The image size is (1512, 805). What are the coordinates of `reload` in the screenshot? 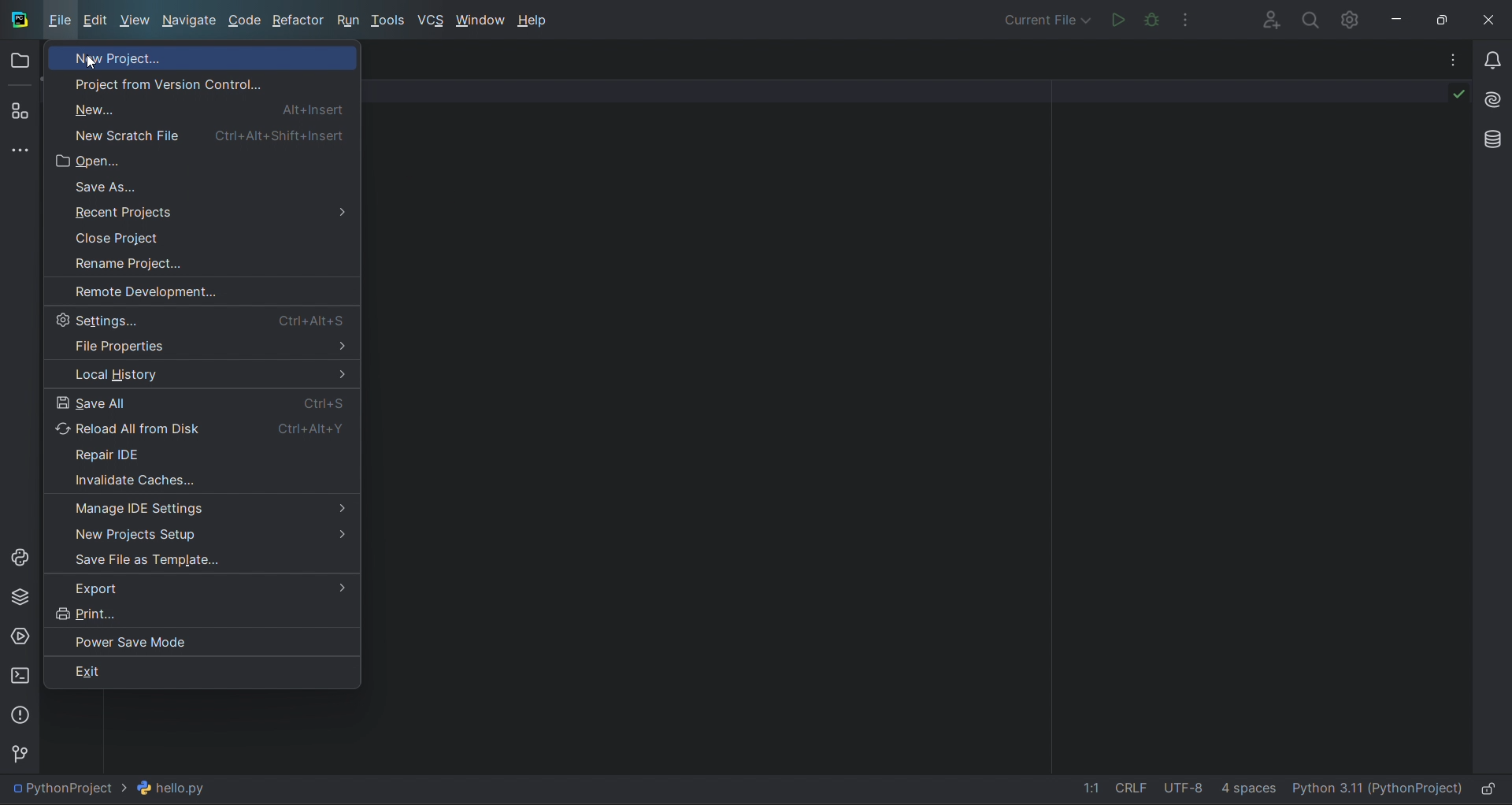 It's located at (202, 427).